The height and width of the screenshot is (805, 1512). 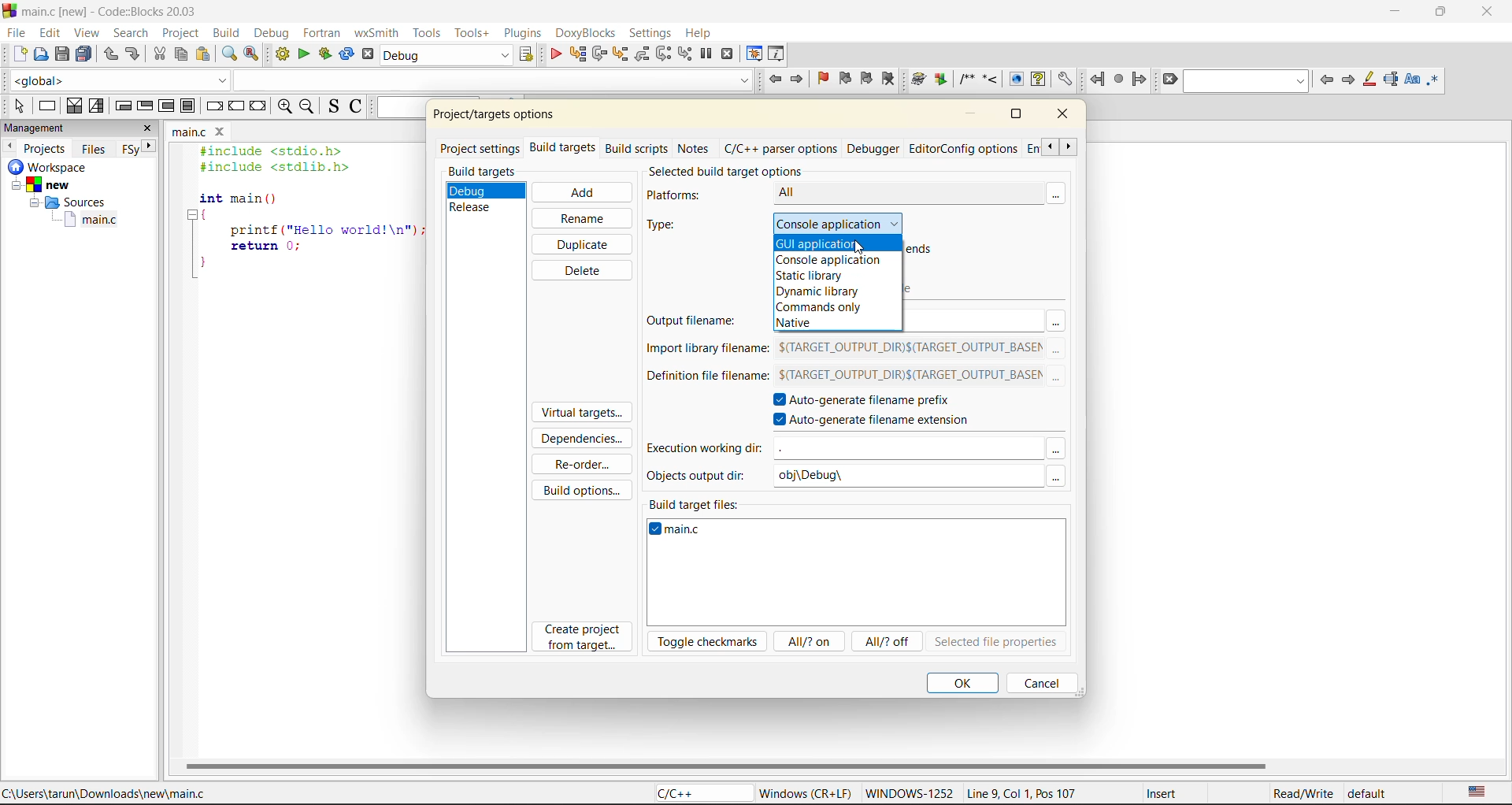 What do you see at coordinates (799, 81) in the screenshot?
I see `jump forward` at bounding box center [799, 81].